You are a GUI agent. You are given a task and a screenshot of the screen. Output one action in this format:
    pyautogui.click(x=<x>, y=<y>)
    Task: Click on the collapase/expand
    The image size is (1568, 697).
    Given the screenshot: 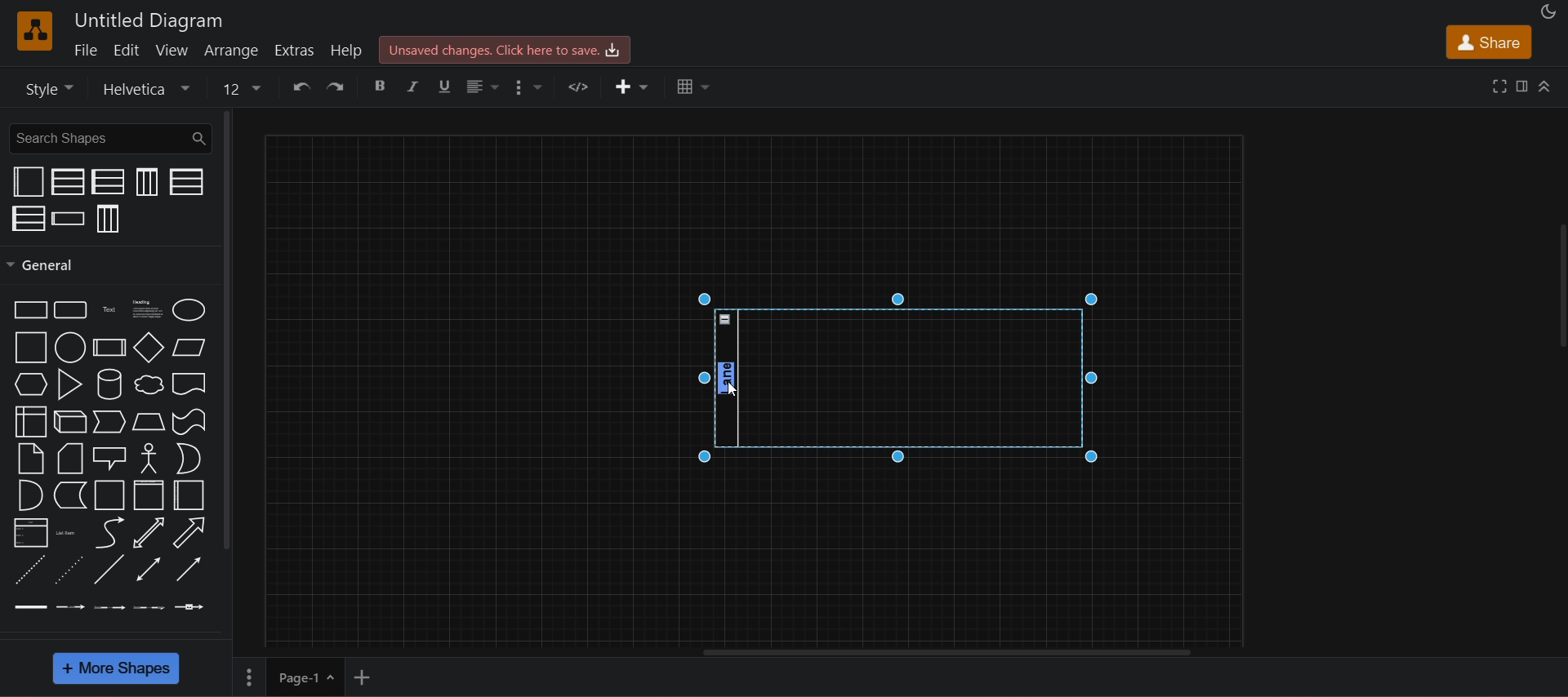 What is the action you would take?
    pyautogui.click(x=1545, y=87)
    